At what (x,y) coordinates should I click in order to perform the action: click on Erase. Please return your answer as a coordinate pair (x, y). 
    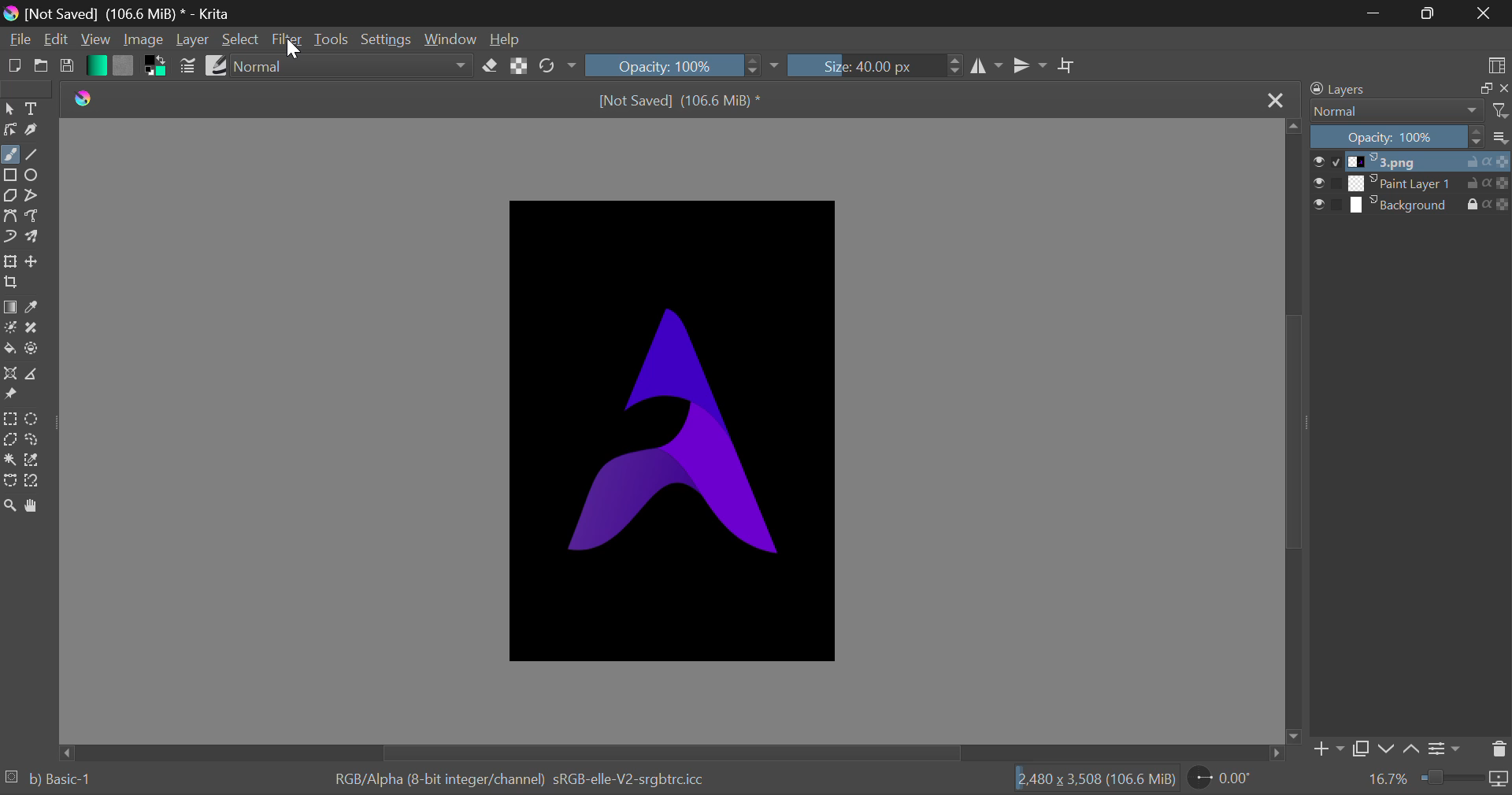
    Looking at the image, I should click on (490, 67).